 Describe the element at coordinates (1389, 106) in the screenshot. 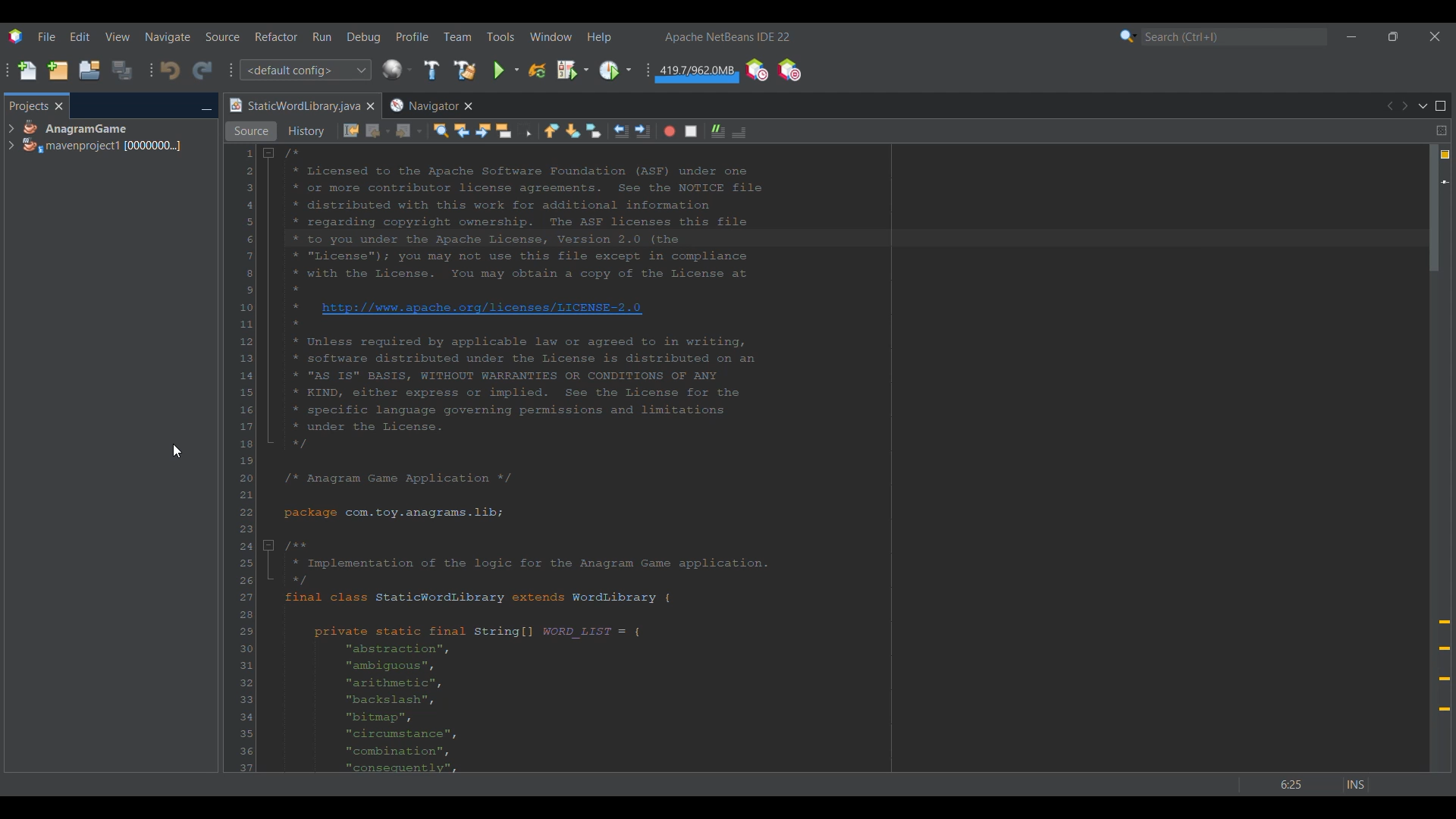

I see `Previous` at that location.